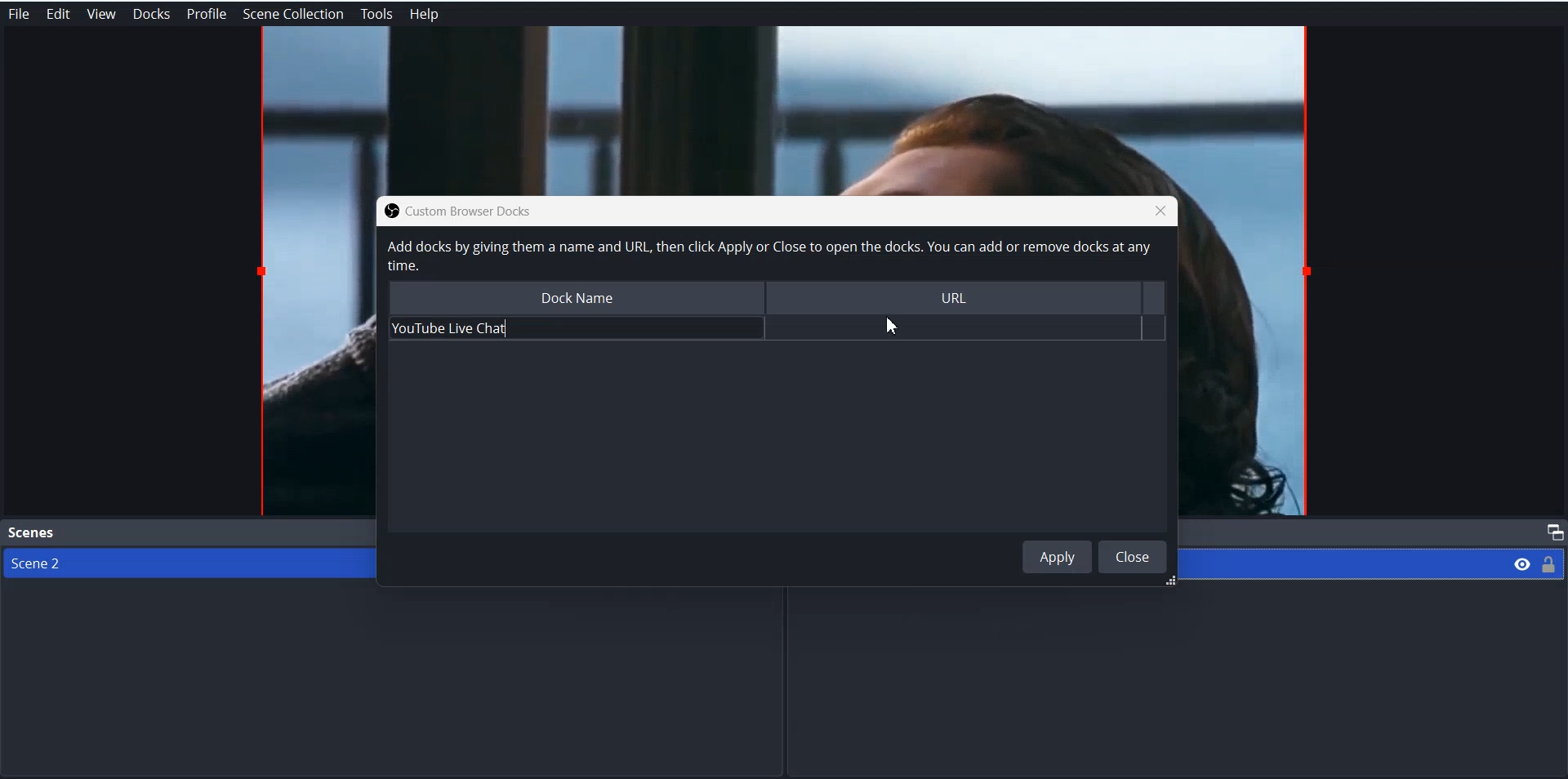 This screenshot has width=1568, height=779. I want to click on Cursor, so click(892, 327).